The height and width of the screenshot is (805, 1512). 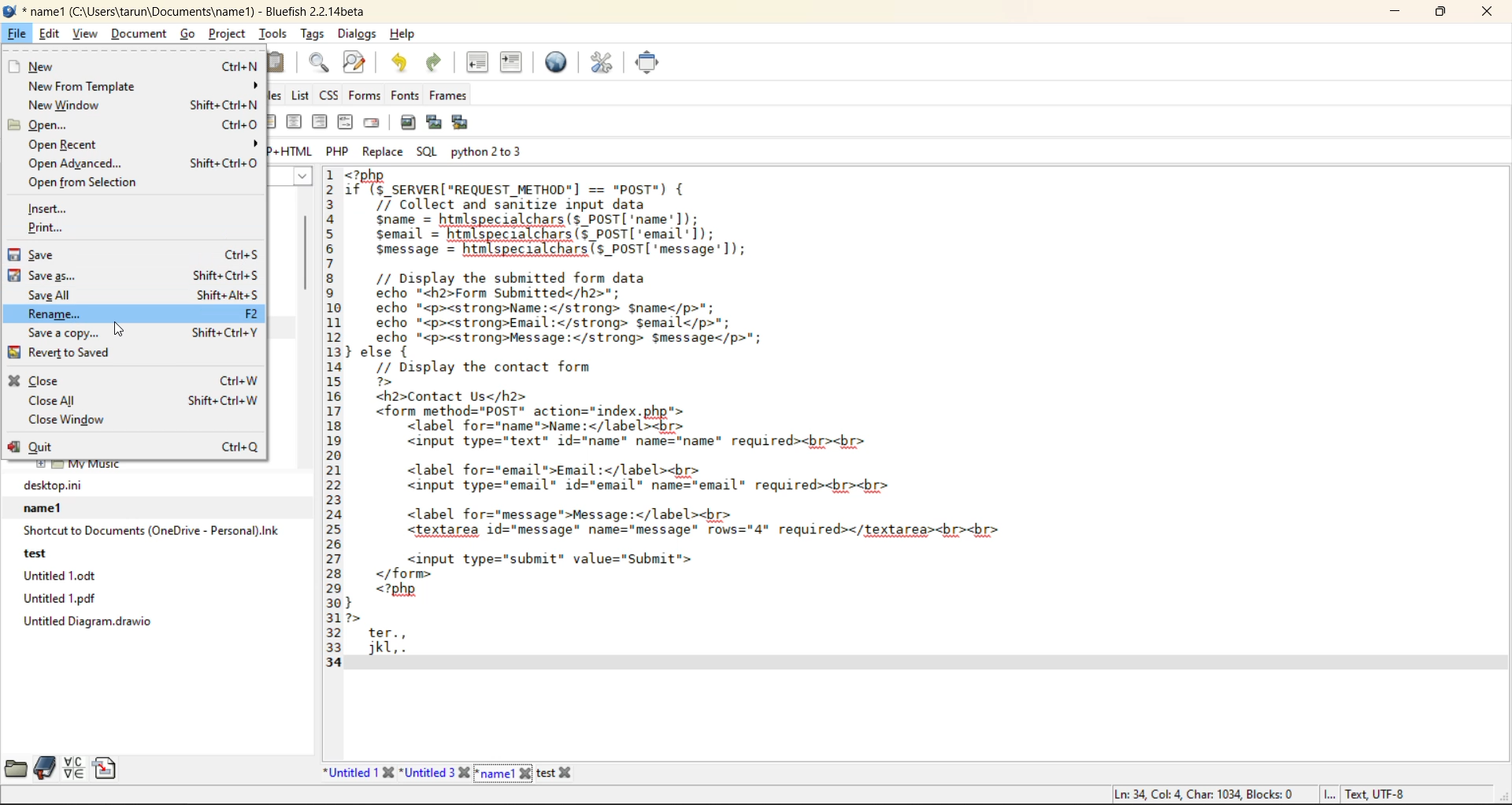 I want to click on snippets, so click(x=104, y=768).